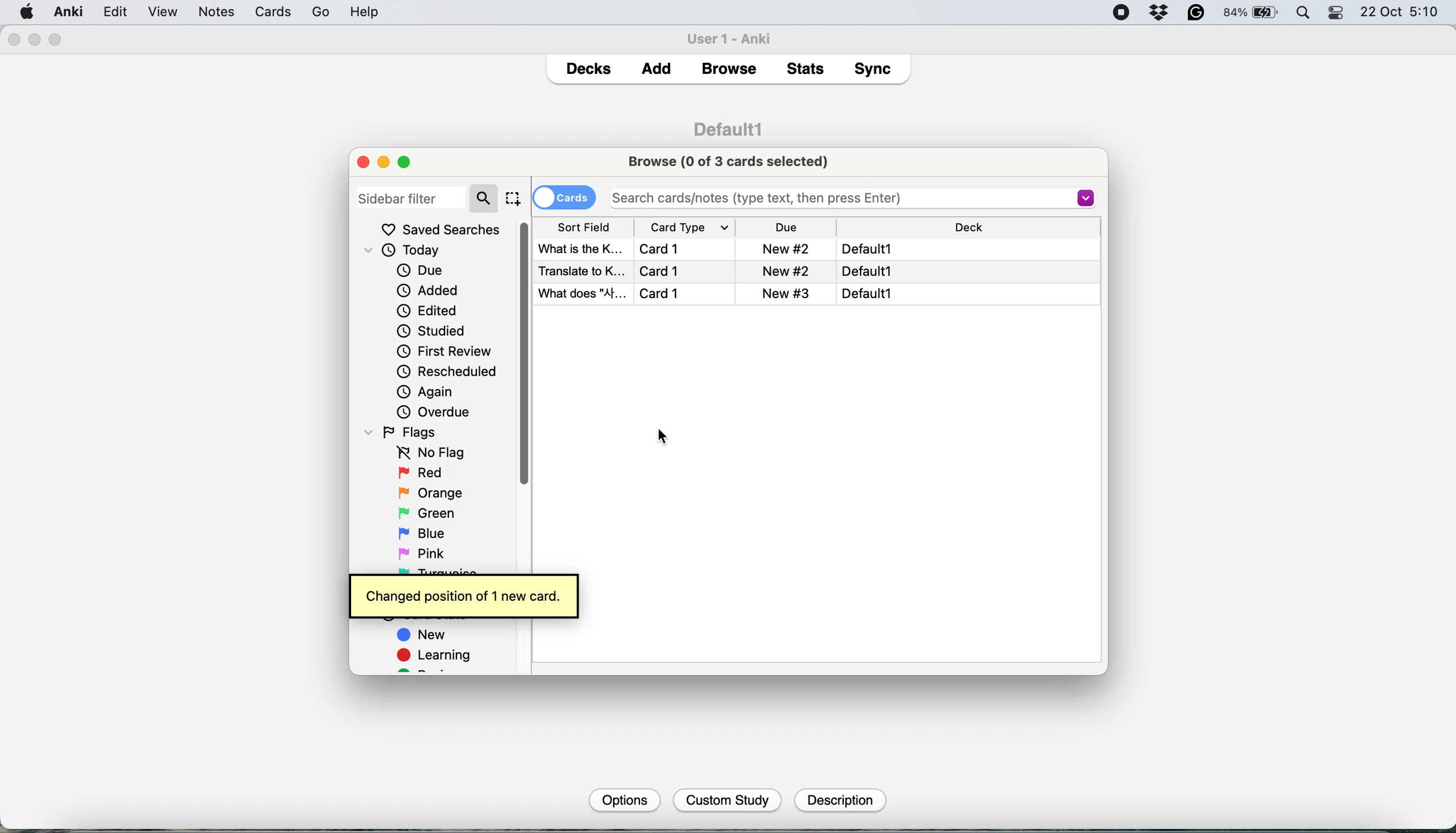  I want to click on red, so click(423, 474).